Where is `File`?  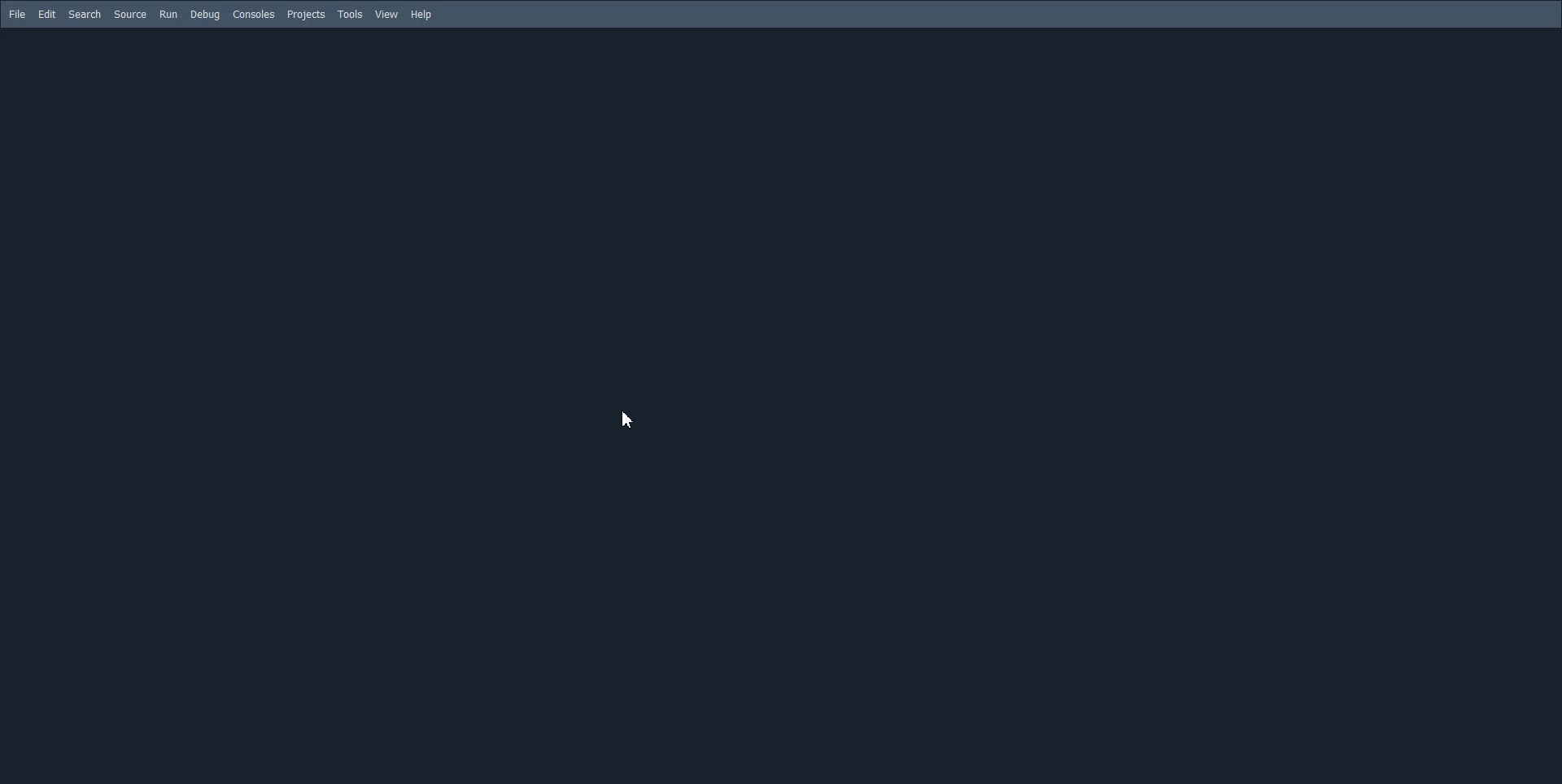
File is located at coordinates (16, 14).